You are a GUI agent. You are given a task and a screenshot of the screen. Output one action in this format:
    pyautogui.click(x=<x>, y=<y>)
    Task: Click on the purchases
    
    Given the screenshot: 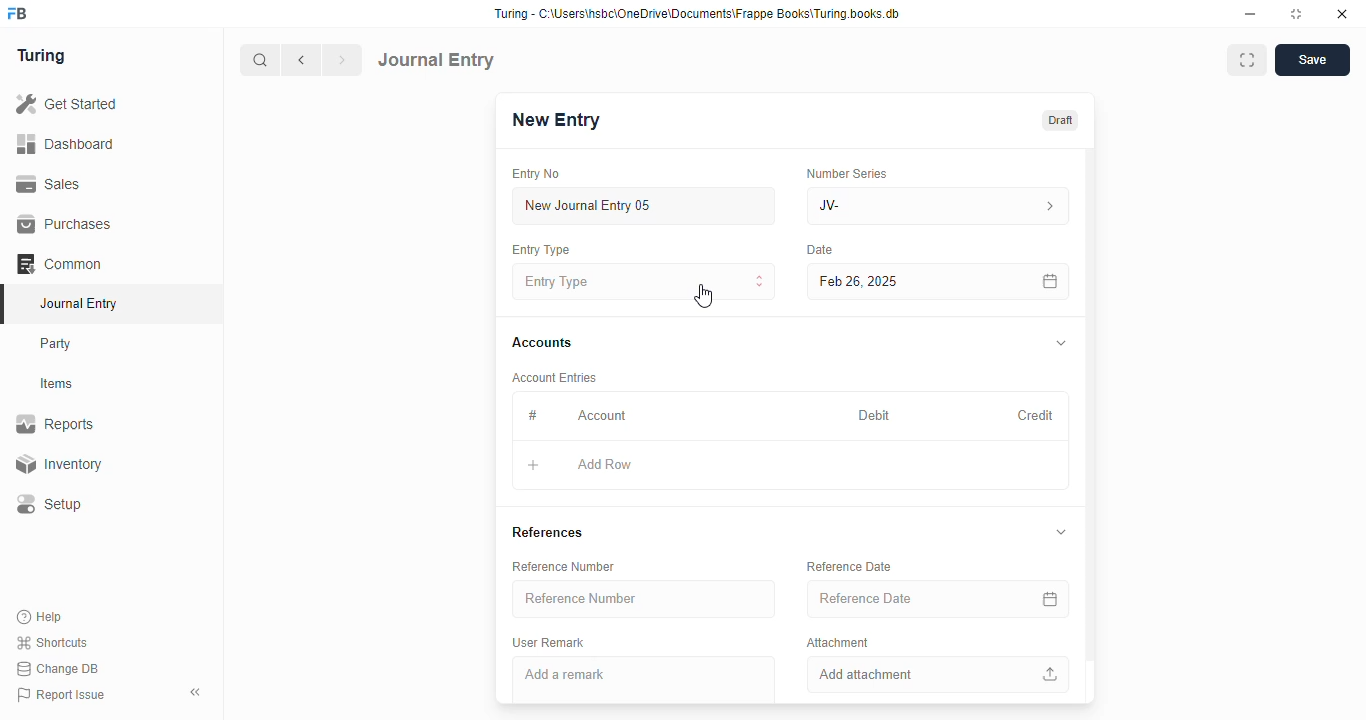 What is the action you would take?
    pyautogui.click(x=64, y=224)
    